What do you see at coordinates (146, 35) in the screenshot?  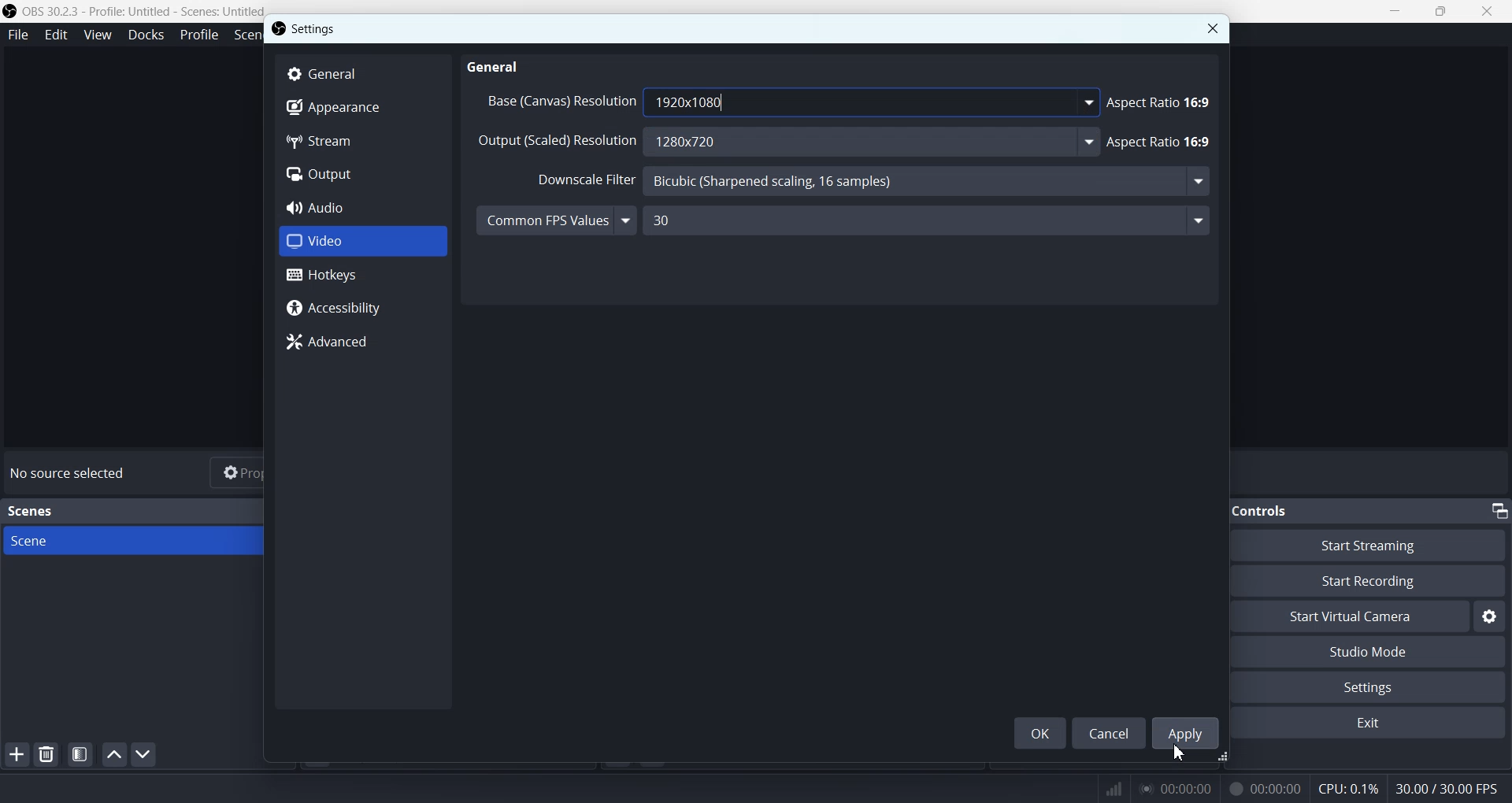 I see `Docks` at bounding box center [146, 35].